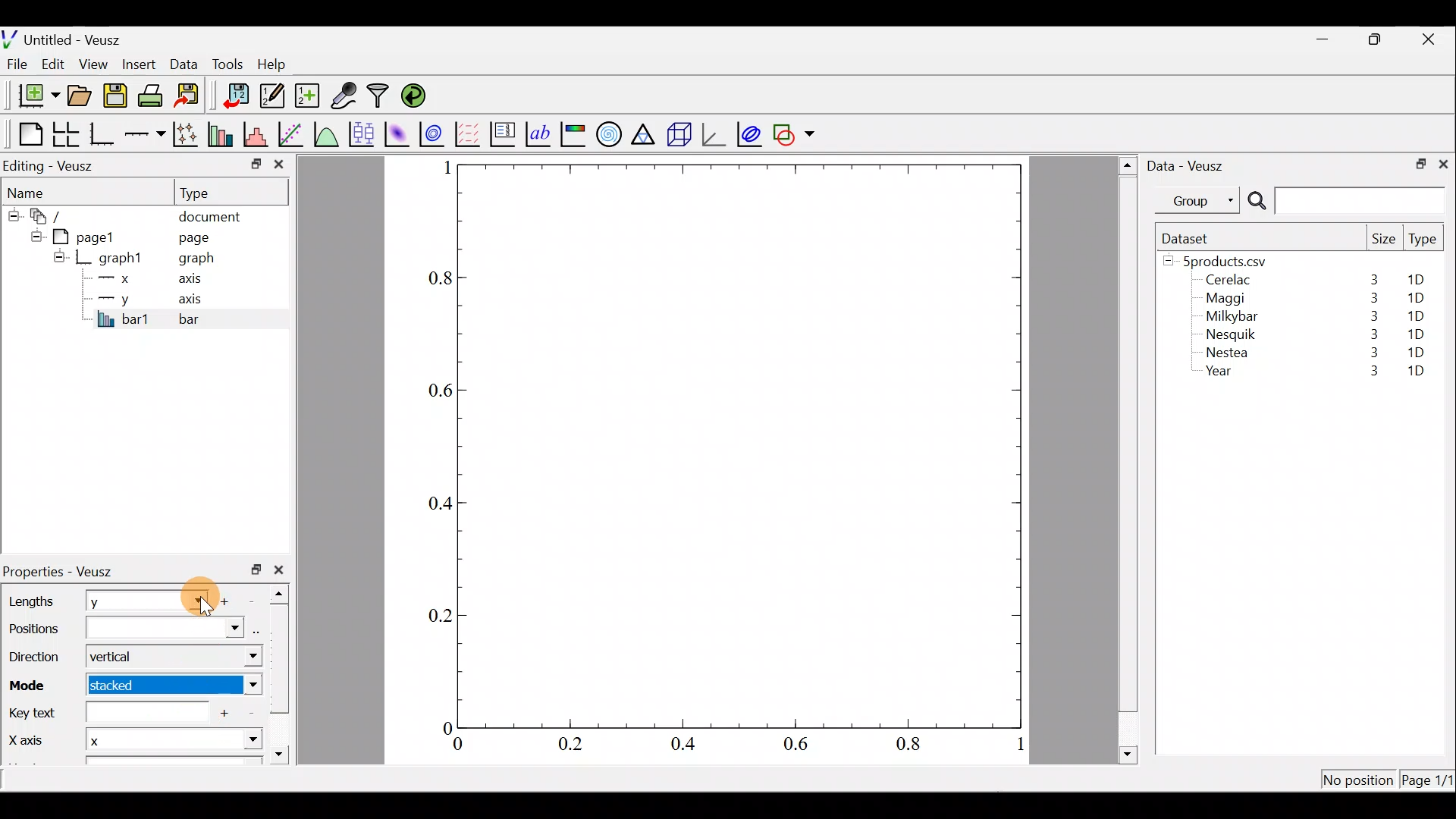  I want to click on direction dropdown, so click(237, 657).